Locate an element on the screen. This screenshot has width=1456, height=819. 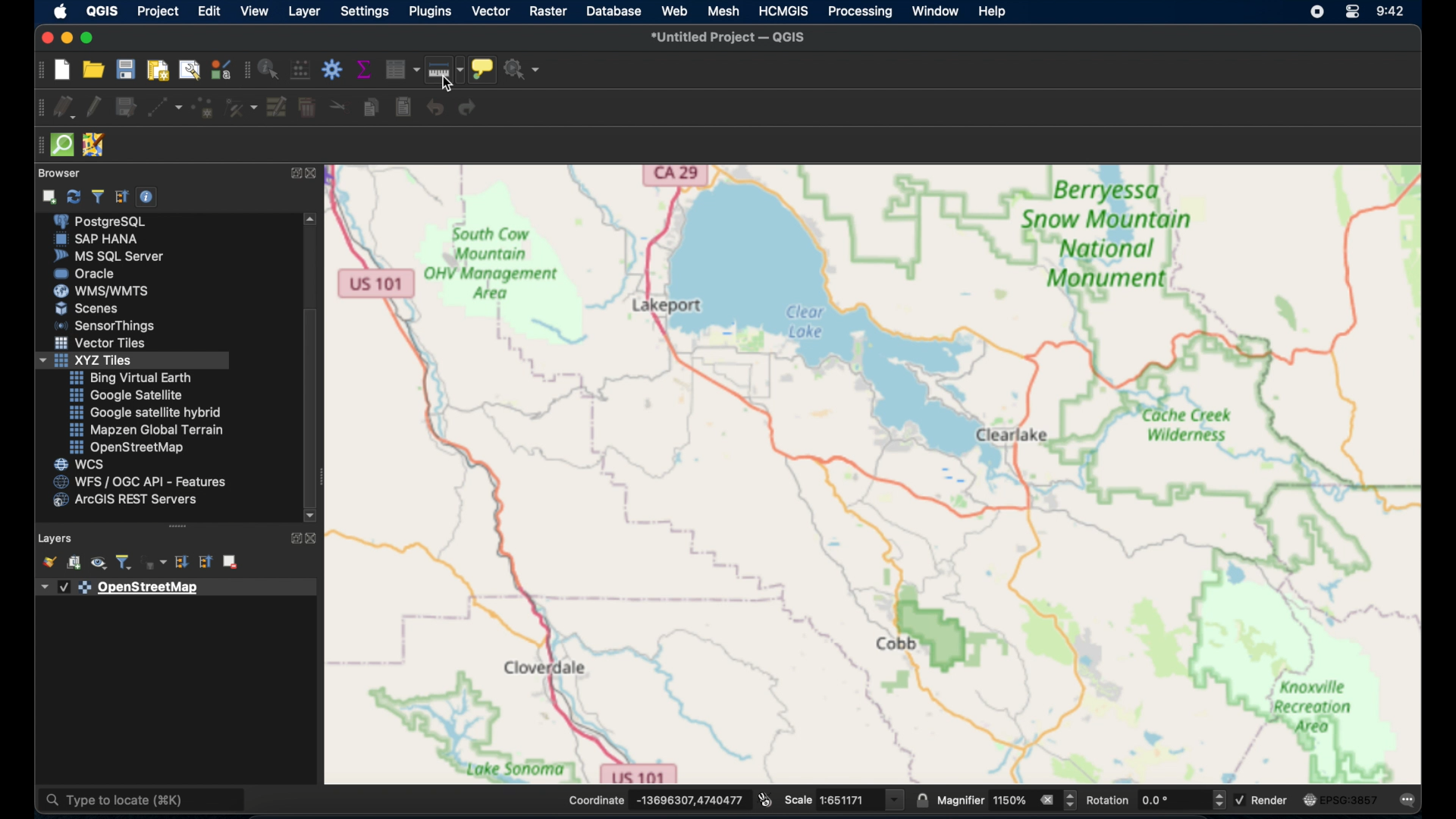
view is located at coordinates (253, 11).